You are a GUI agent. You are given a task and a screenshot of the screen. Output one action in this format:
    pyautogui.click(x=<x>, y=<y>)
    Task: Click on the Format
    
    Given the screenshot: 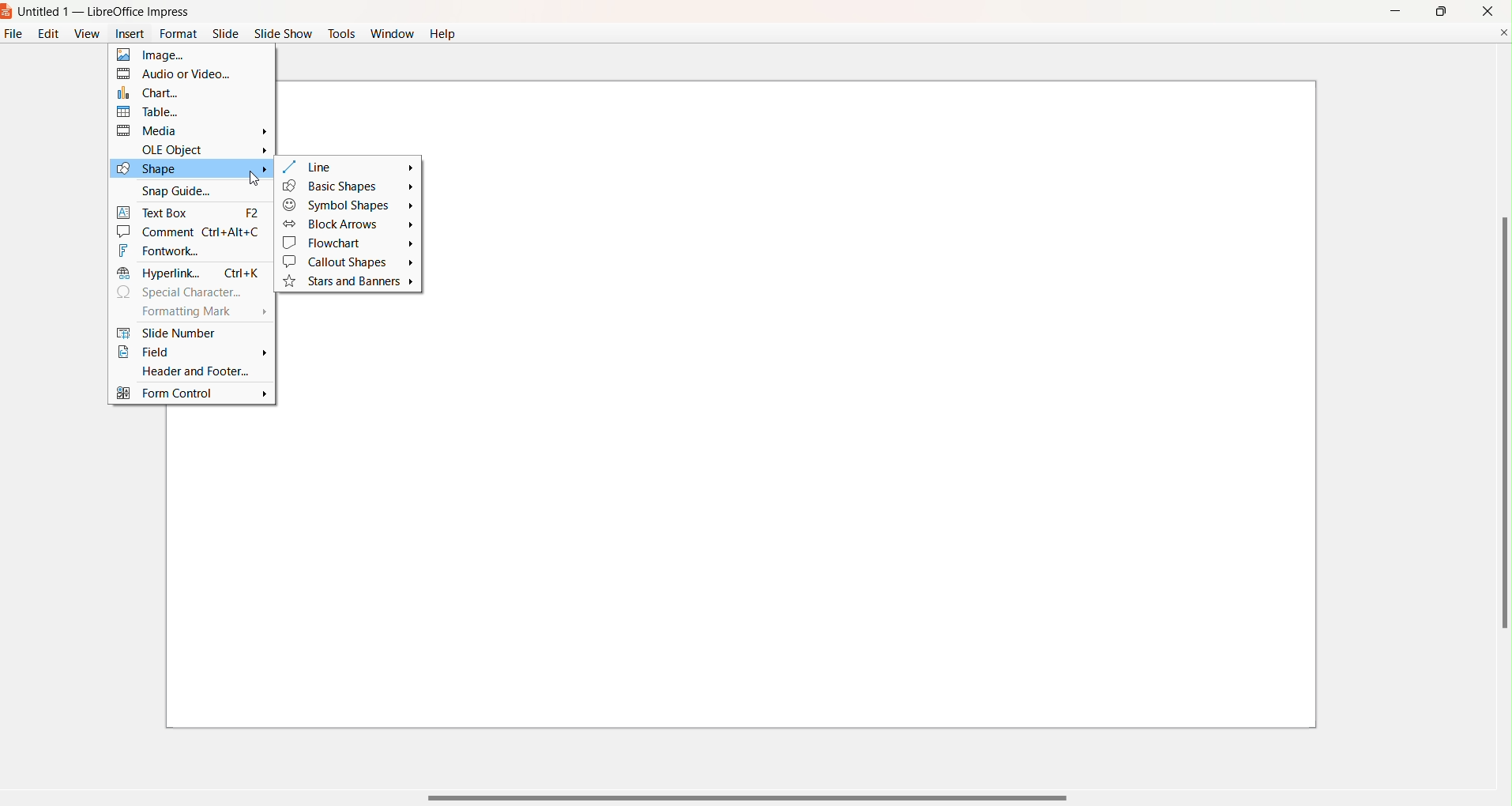 What is the action you would take?
    pyautogui.click(x=179, y=33)
    